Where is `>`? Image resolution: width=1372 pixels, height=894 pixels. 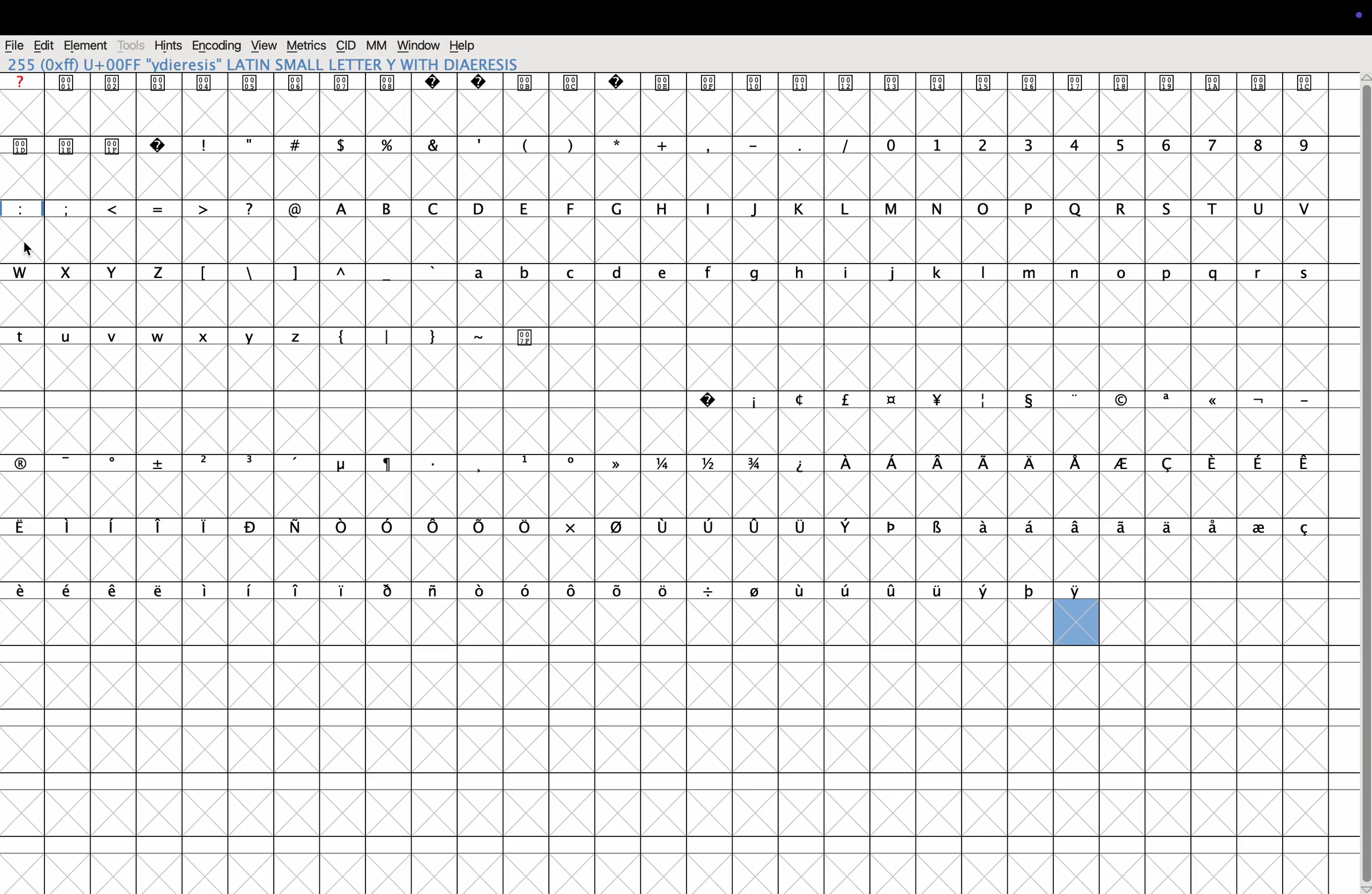 > is located at coordinates (207, 234).